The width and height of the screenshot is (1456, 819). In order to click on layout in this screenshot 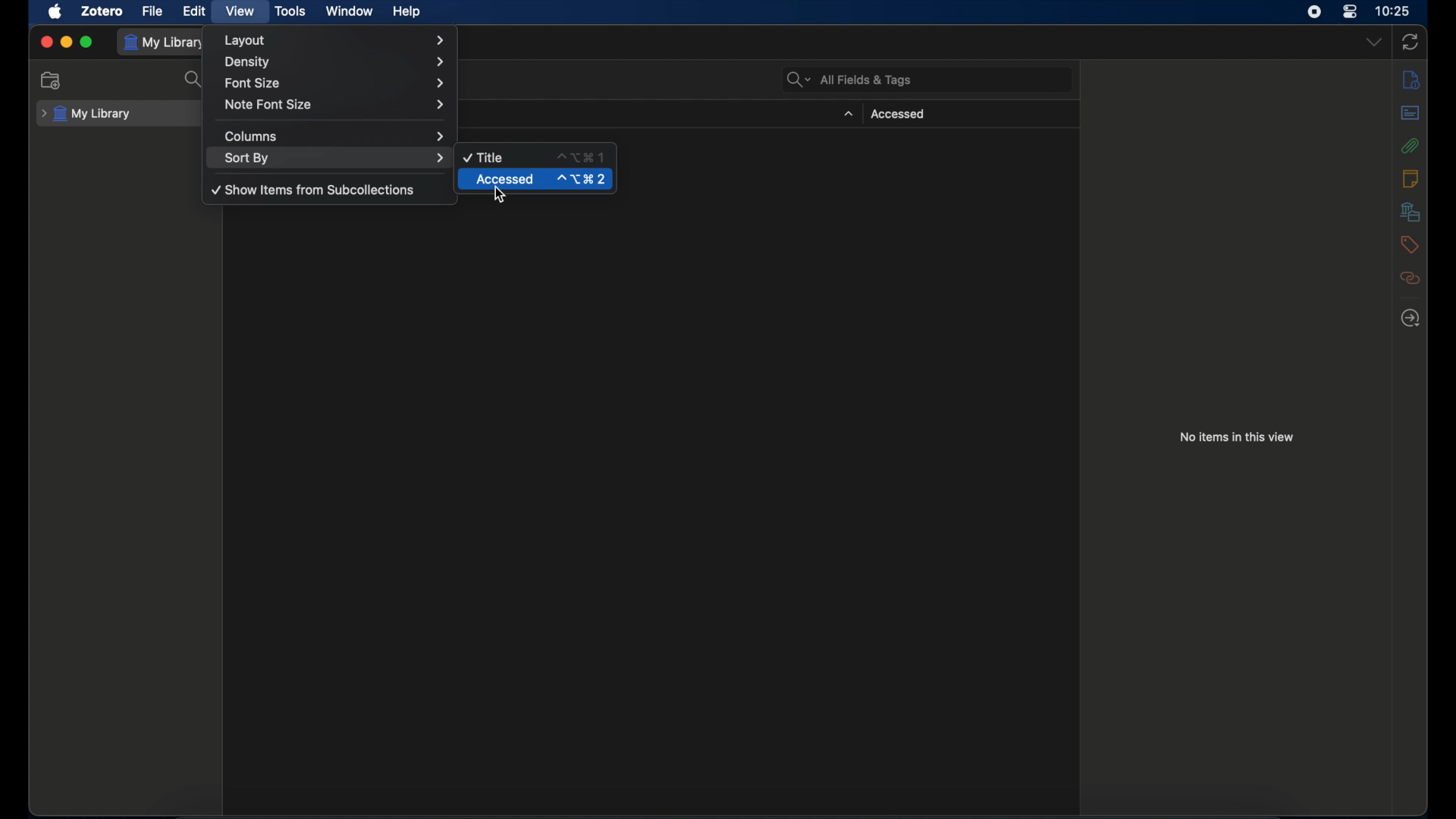, I will do `click(334, 40)`.